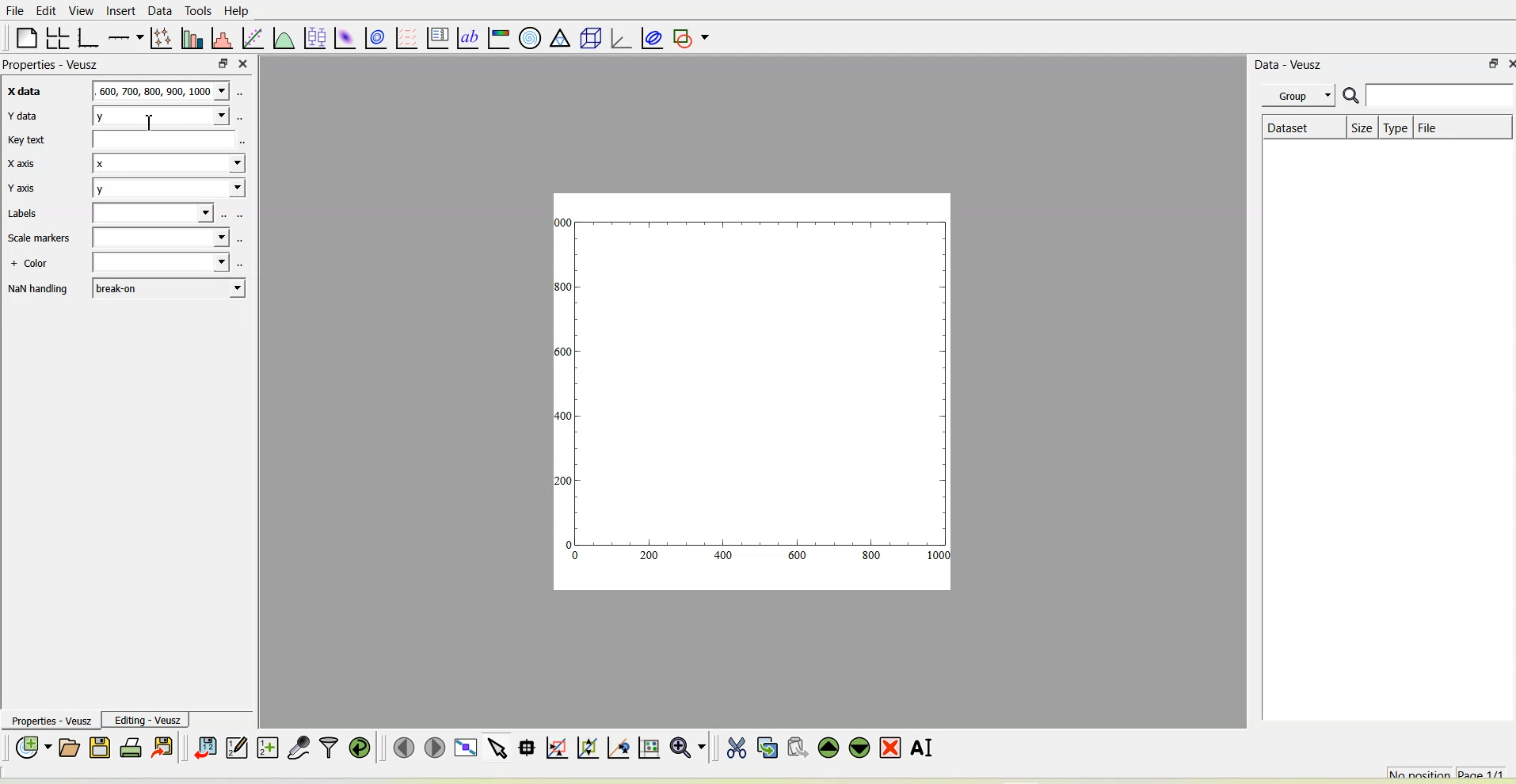  I want to click on View, so click(78, 11).